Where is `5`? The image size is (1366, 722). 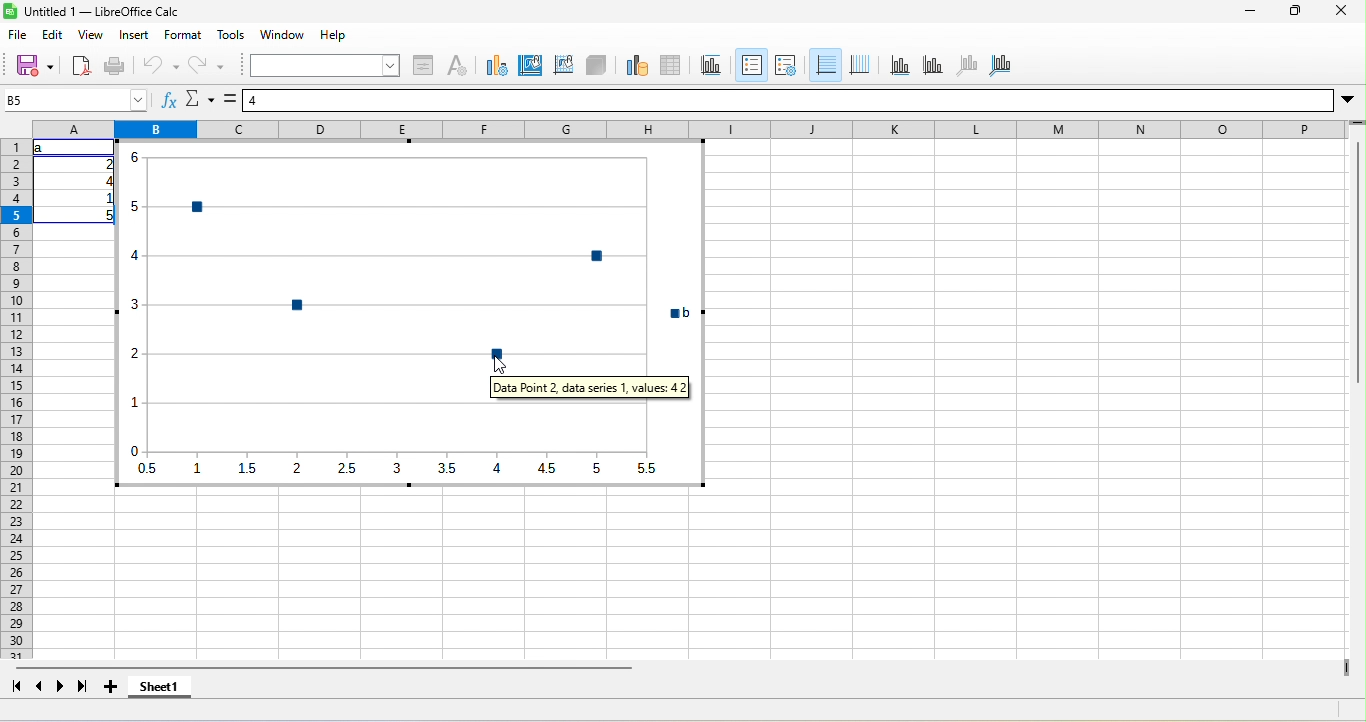 5 is located at coordinates (105, 216).